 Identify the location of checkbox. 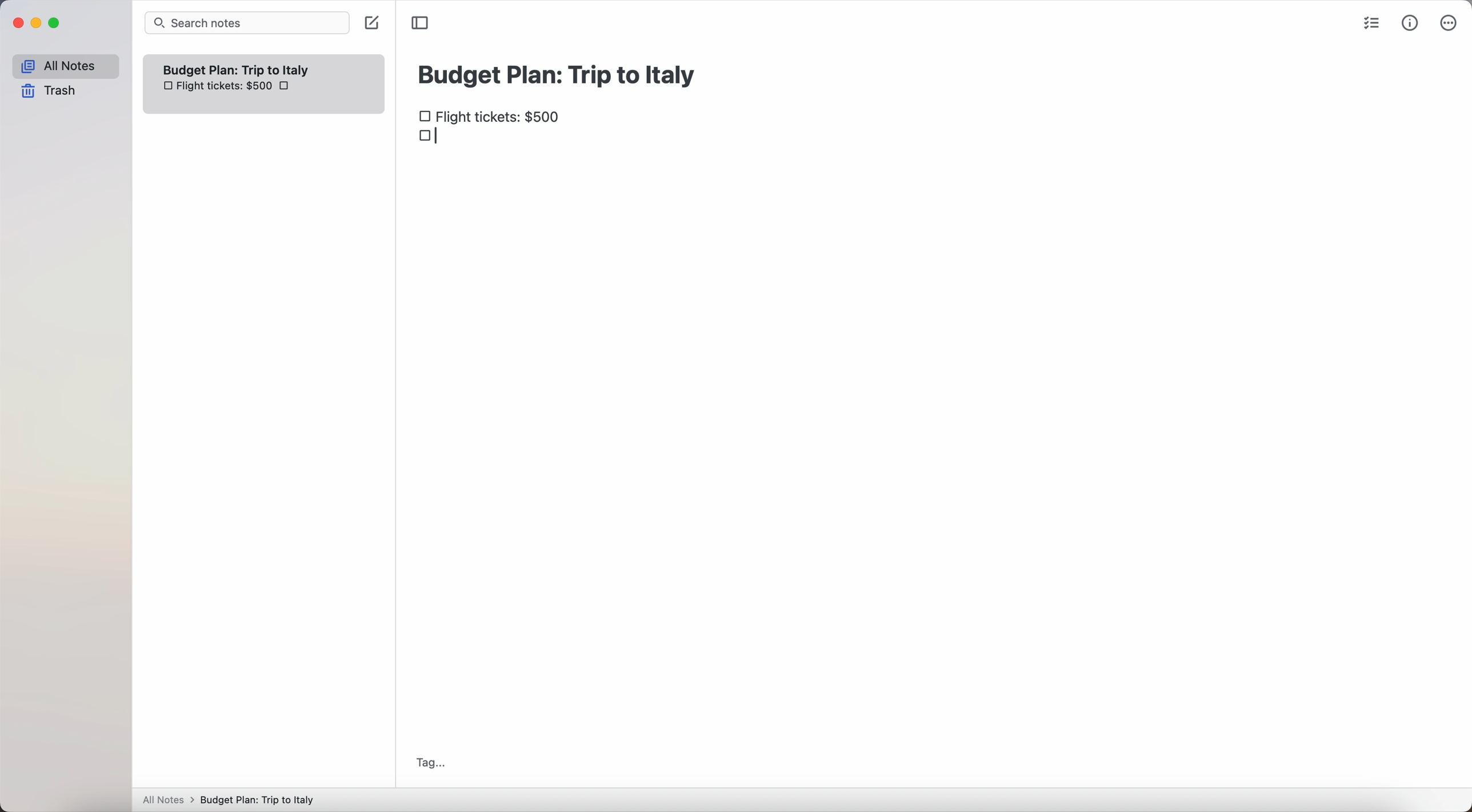
(286, 86).